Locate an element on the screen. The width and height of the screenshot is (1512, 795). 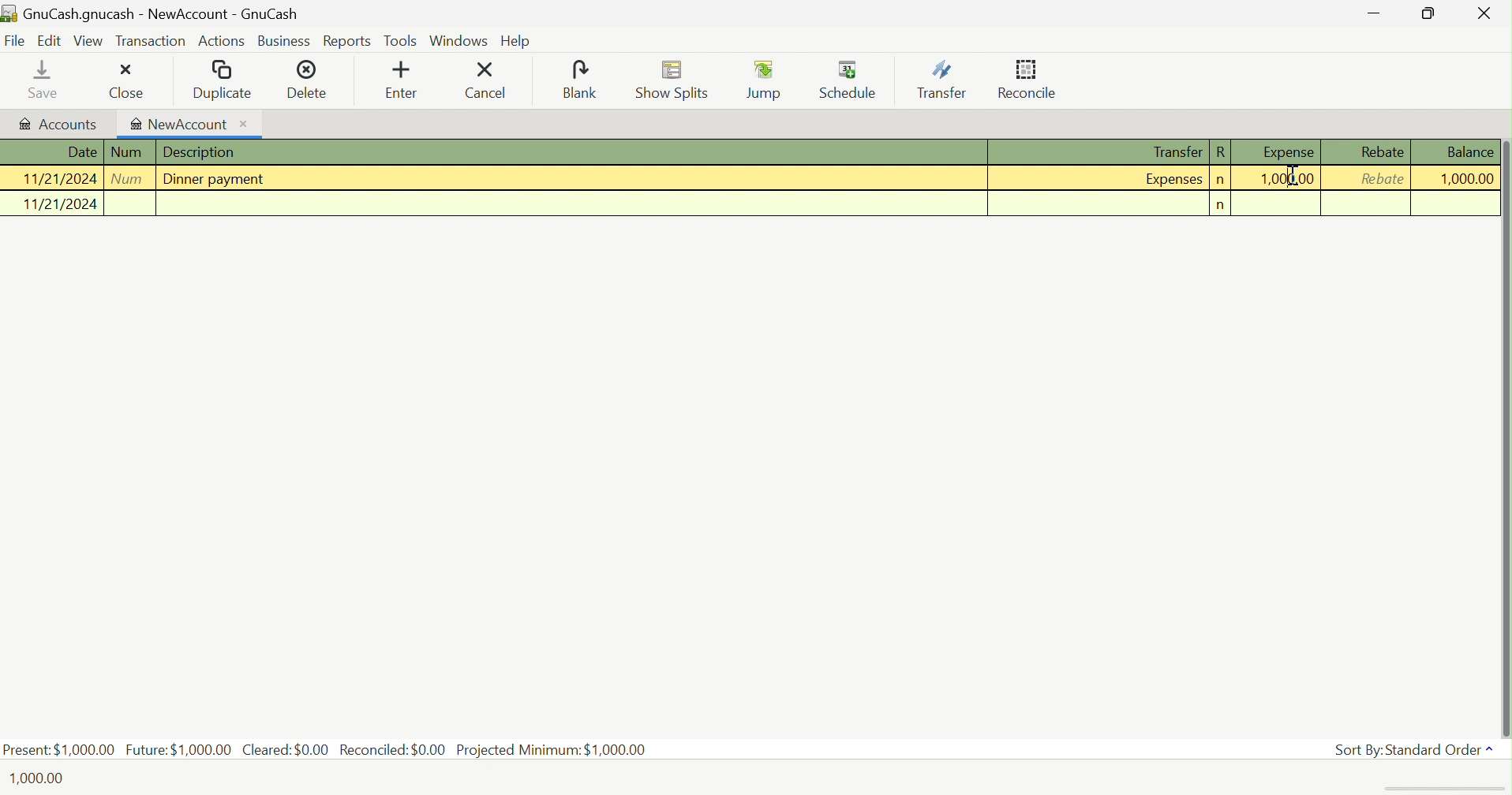
Rebate is located at coordinates (1383, 151).